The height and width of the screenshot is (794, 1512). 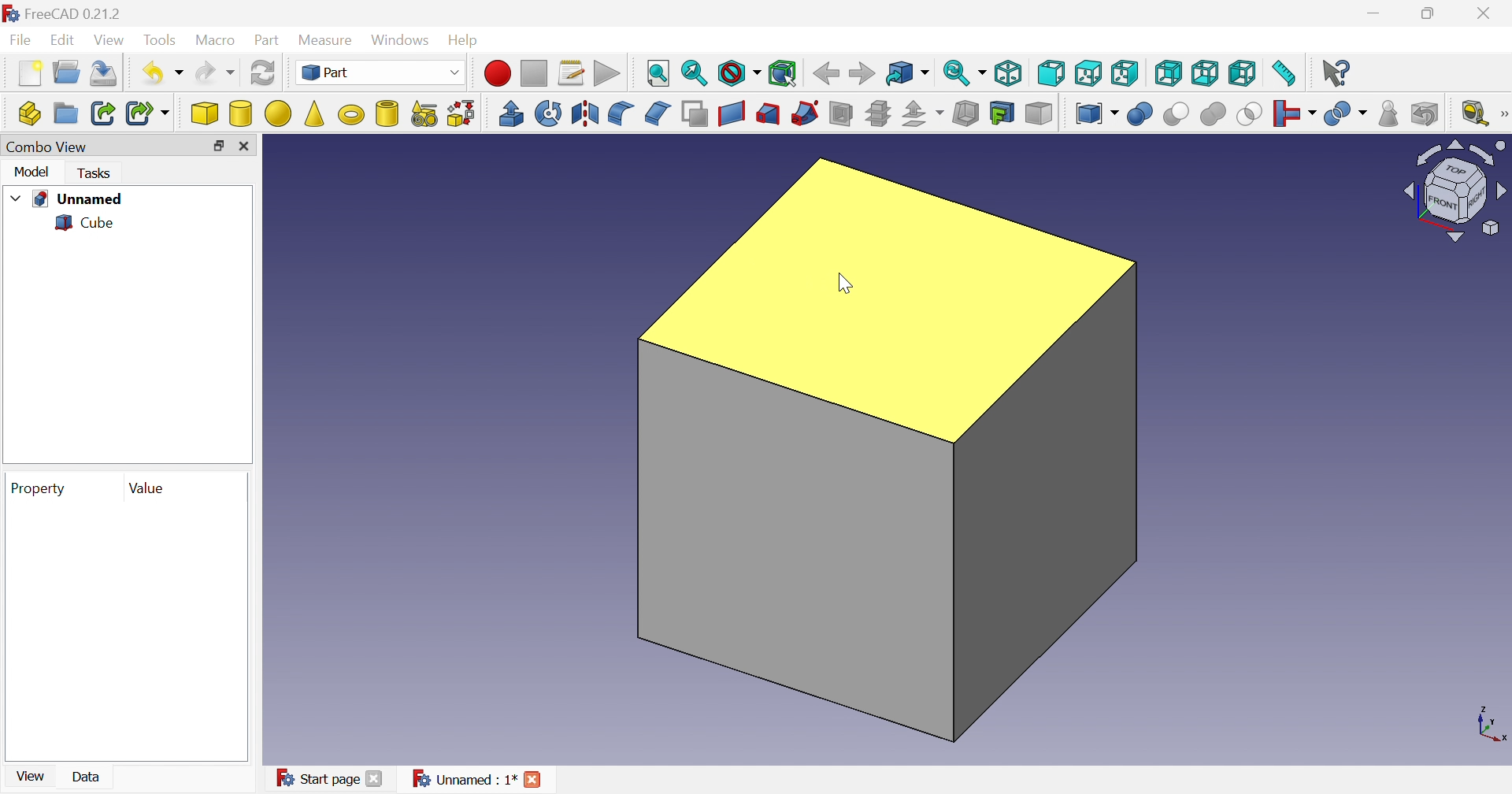 I want to click on Chamfer, so click(x=660, y=113).